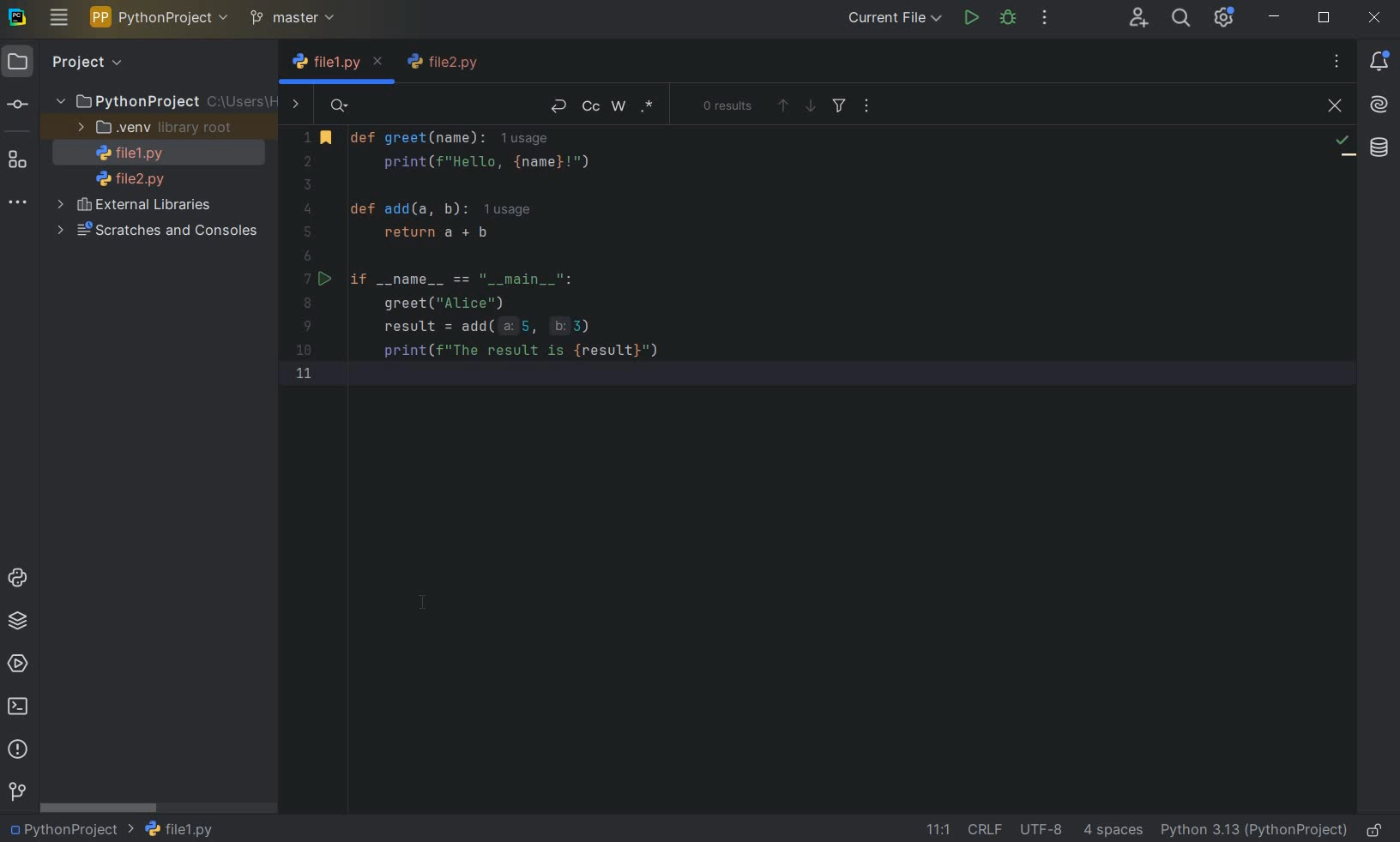  I want to click on SYSTEM LOGO, so click(19, 18).